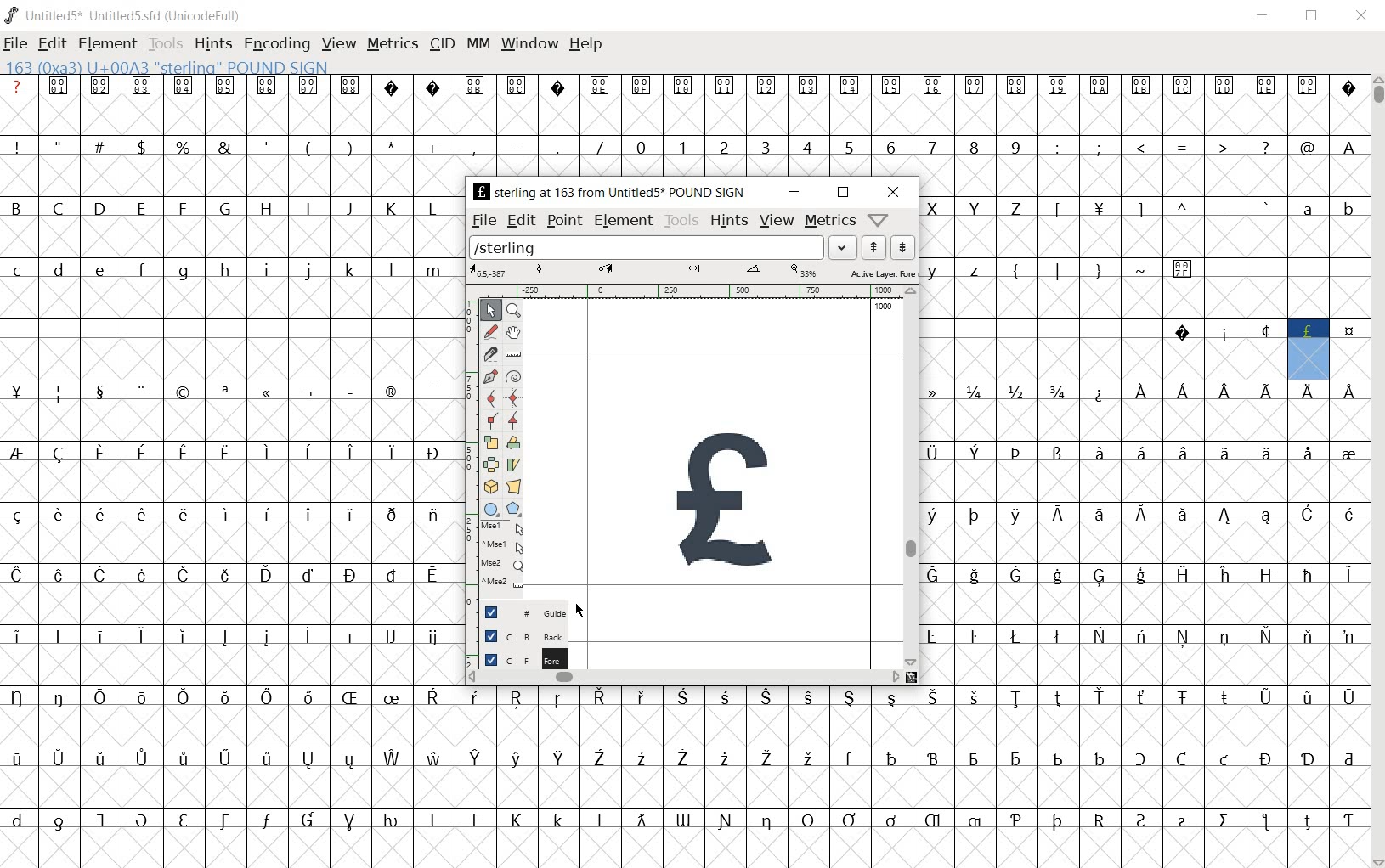 This screenshot has width=1385, height=868. I want to click on 6, so click(890, 147).